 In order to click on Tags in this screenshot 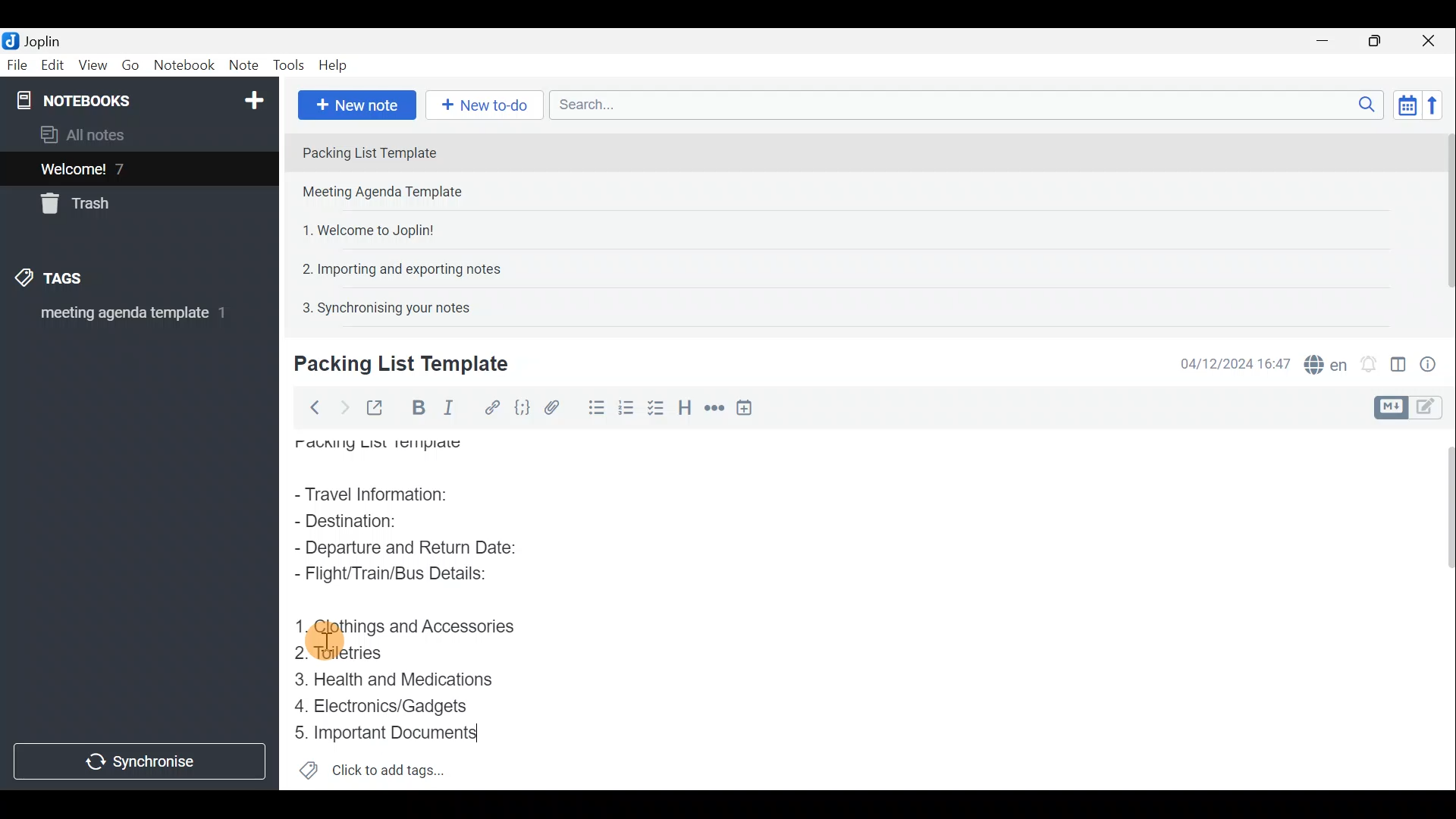, I will do `click(74, 281)`.